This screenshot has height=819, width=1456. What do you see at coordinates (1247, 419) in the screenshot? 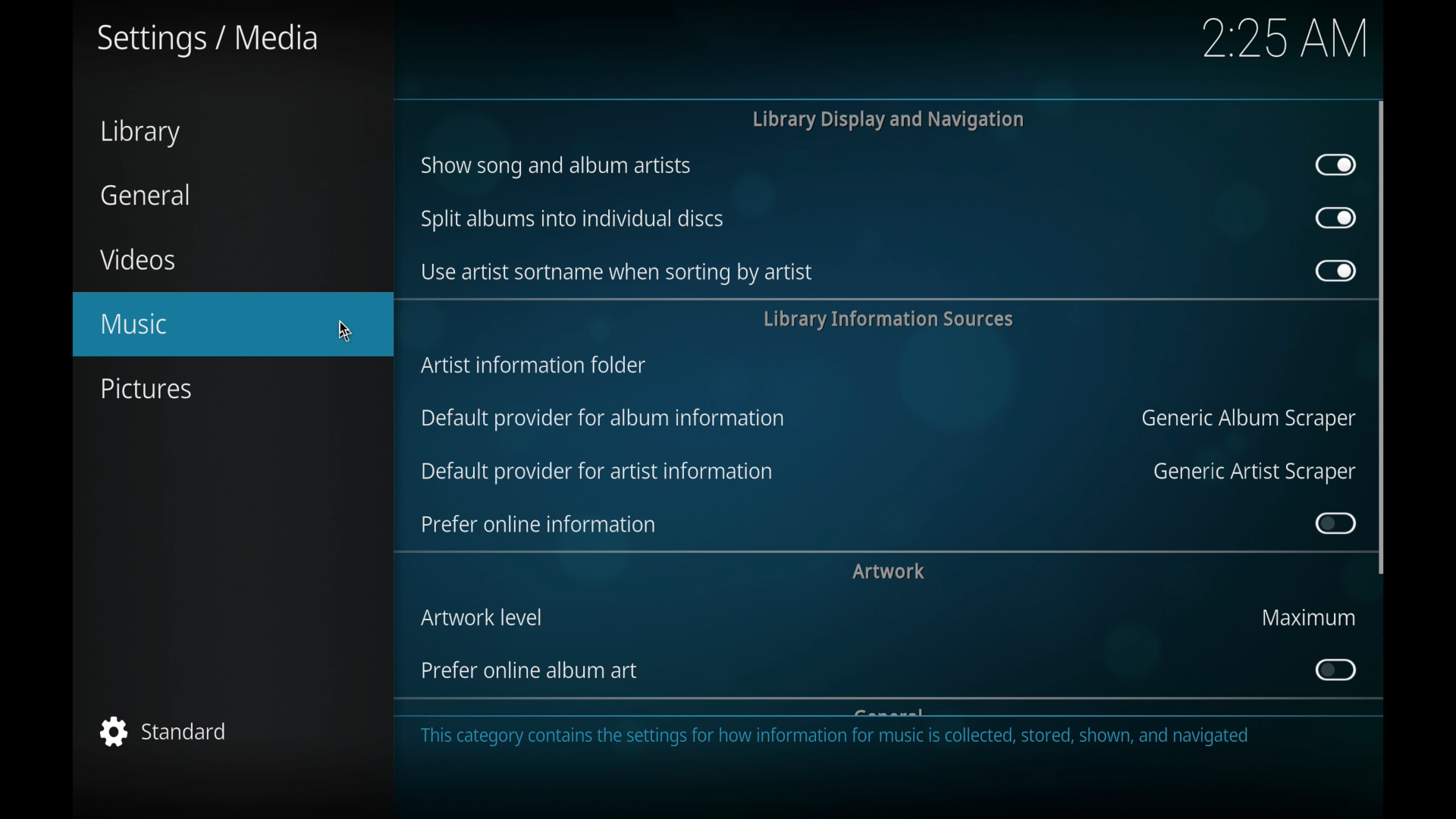
I see `generic album scraper` at bounding box center [1247, 419].